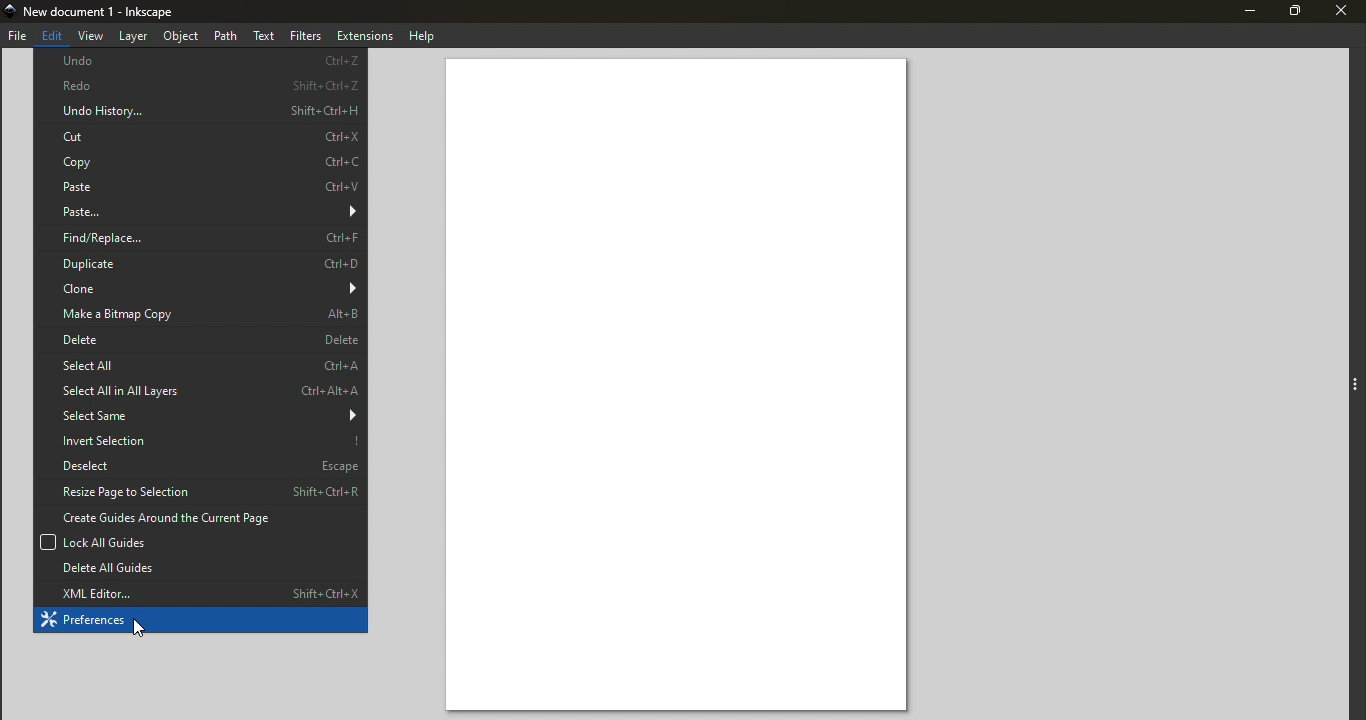  Describe the element at coordinates (1293, 13) in the screenshot. I see `Maximize` at that location.